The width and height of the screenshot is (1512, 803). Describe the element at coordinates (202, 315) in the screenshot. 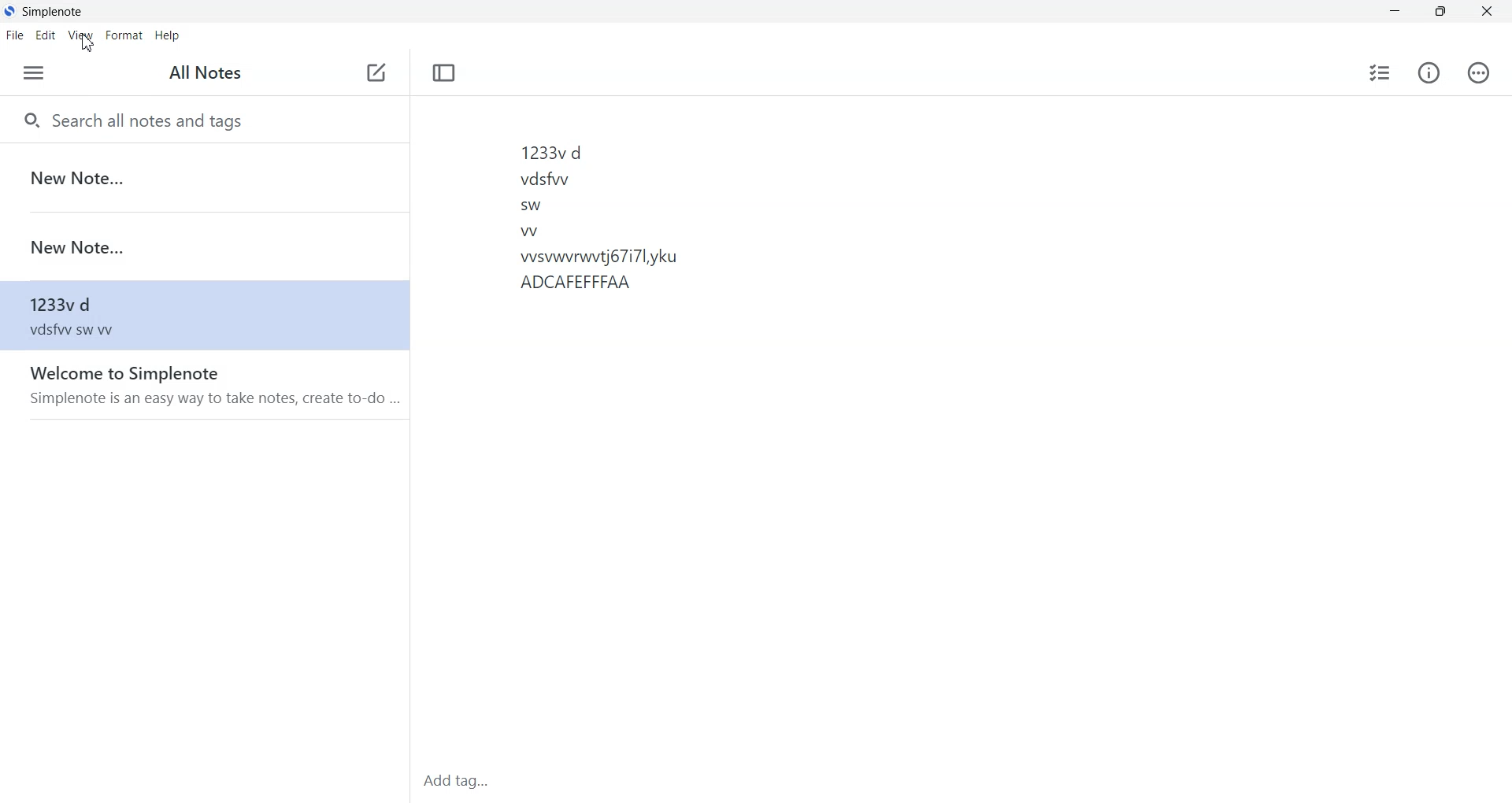

I see `1233v d` at that location.